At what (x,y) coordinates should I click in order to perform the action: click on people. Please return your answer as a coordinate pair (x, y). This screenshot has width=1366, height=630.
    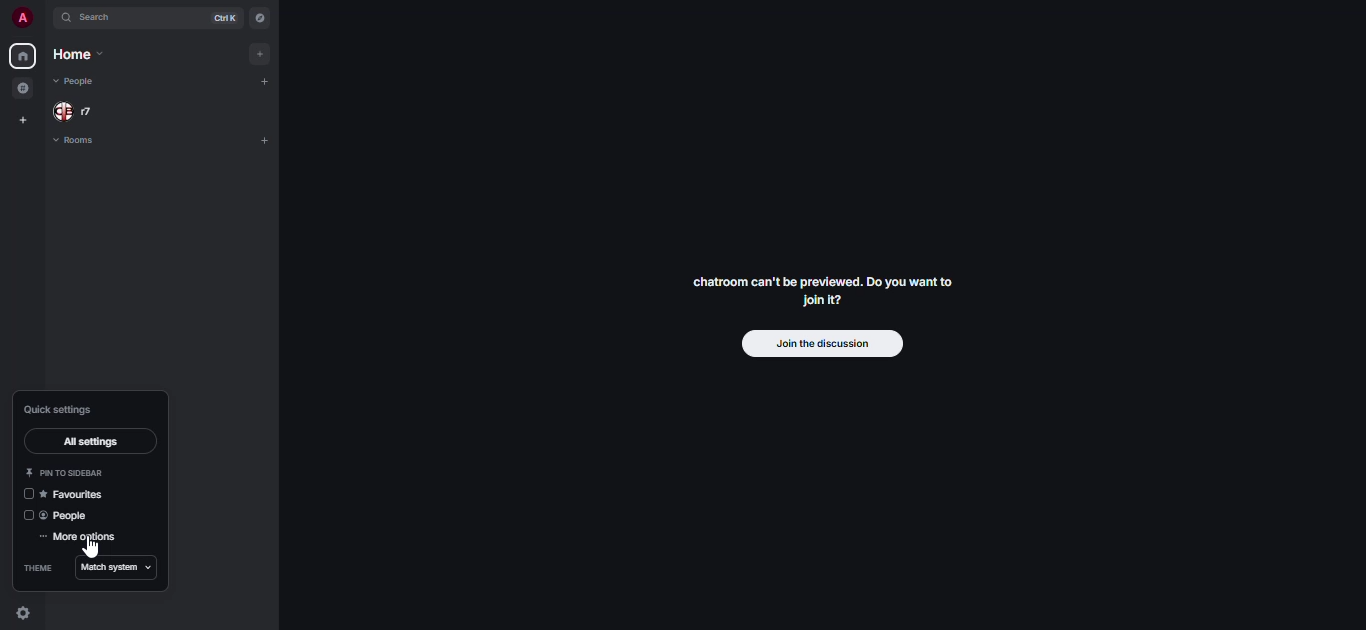
    Looking at the image, I should click on (82, 83).